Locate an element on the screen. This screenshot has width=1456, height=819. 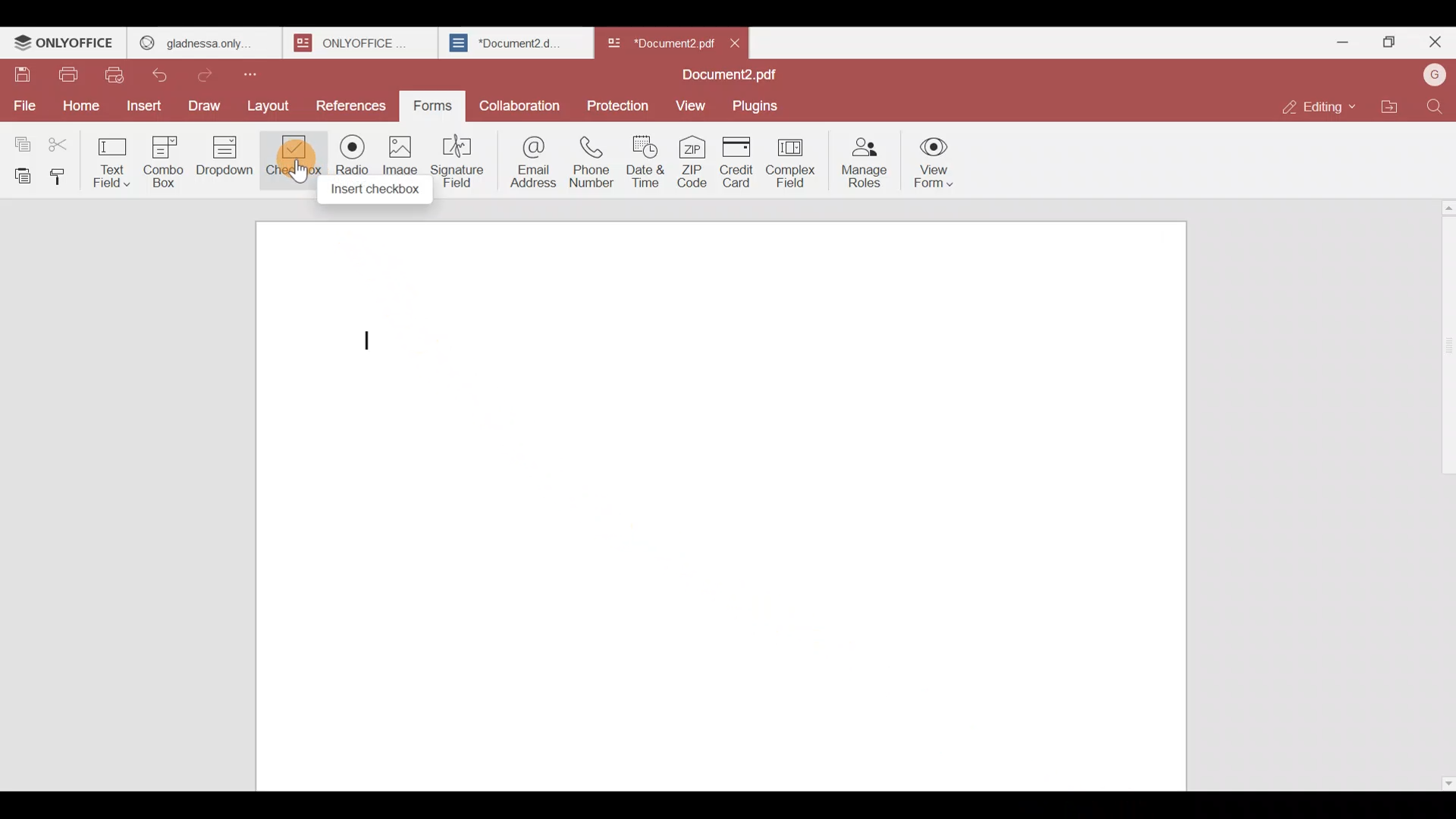
text cursor is located at coordinates (372, 338).